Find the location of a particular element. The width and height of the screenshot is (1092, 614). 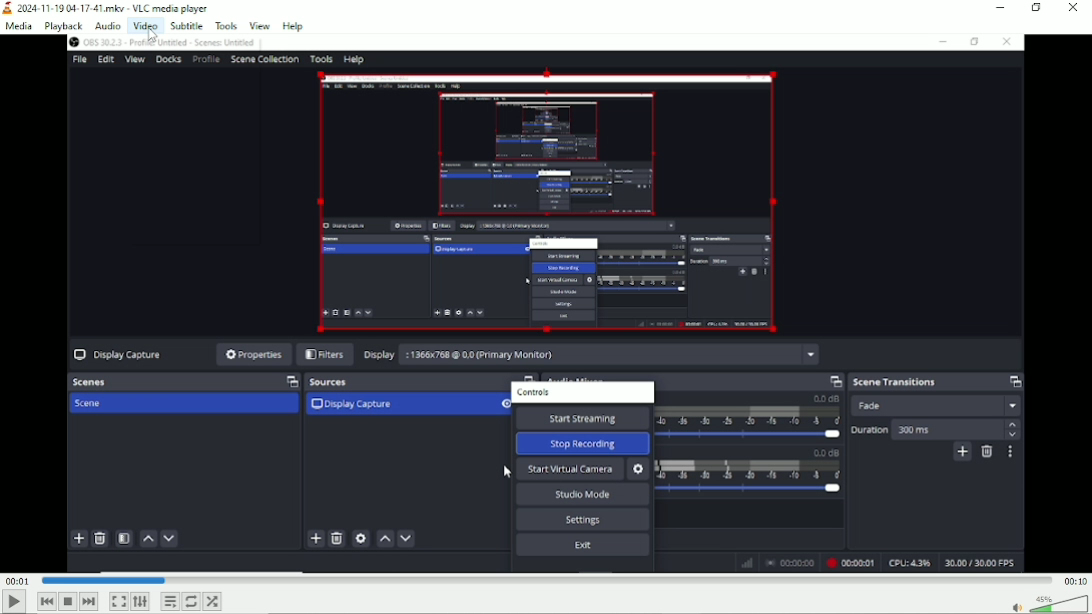

Stop playlist is located at coordinates (70, 602).